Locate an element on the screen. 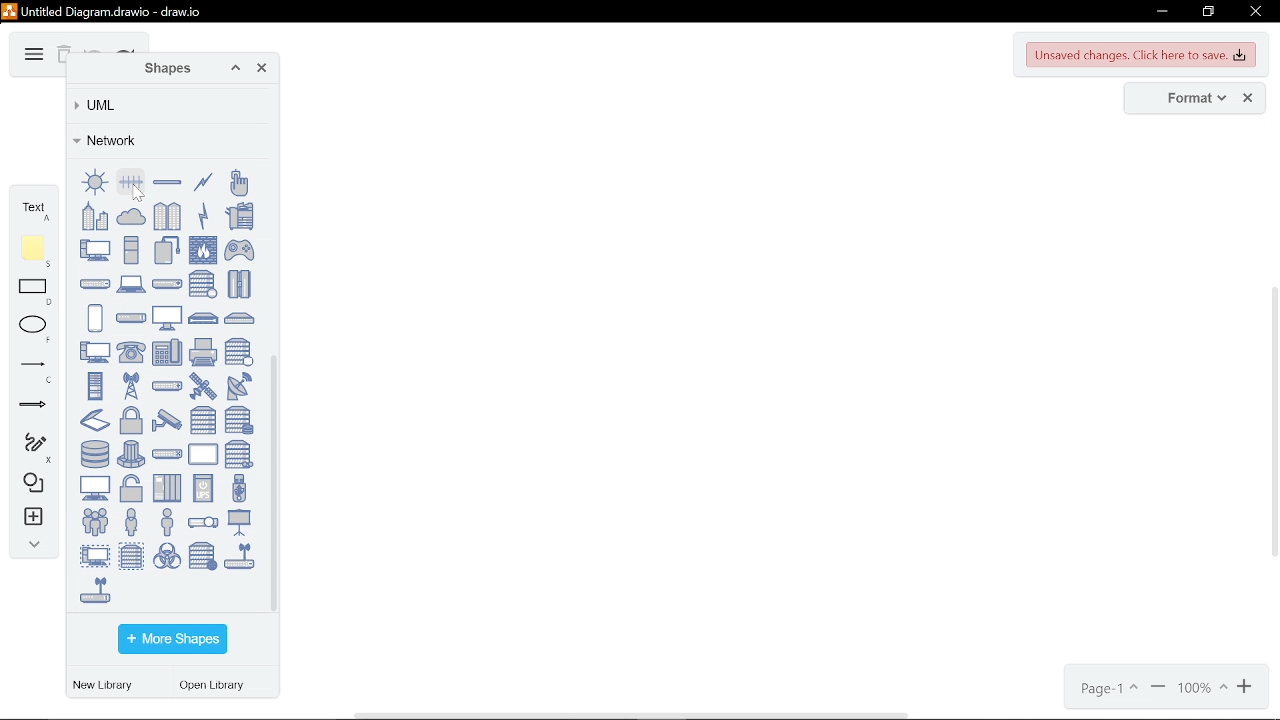 The width and height of the screenshot is (1280, 720). unsecure is located at coordinates (131, 489).